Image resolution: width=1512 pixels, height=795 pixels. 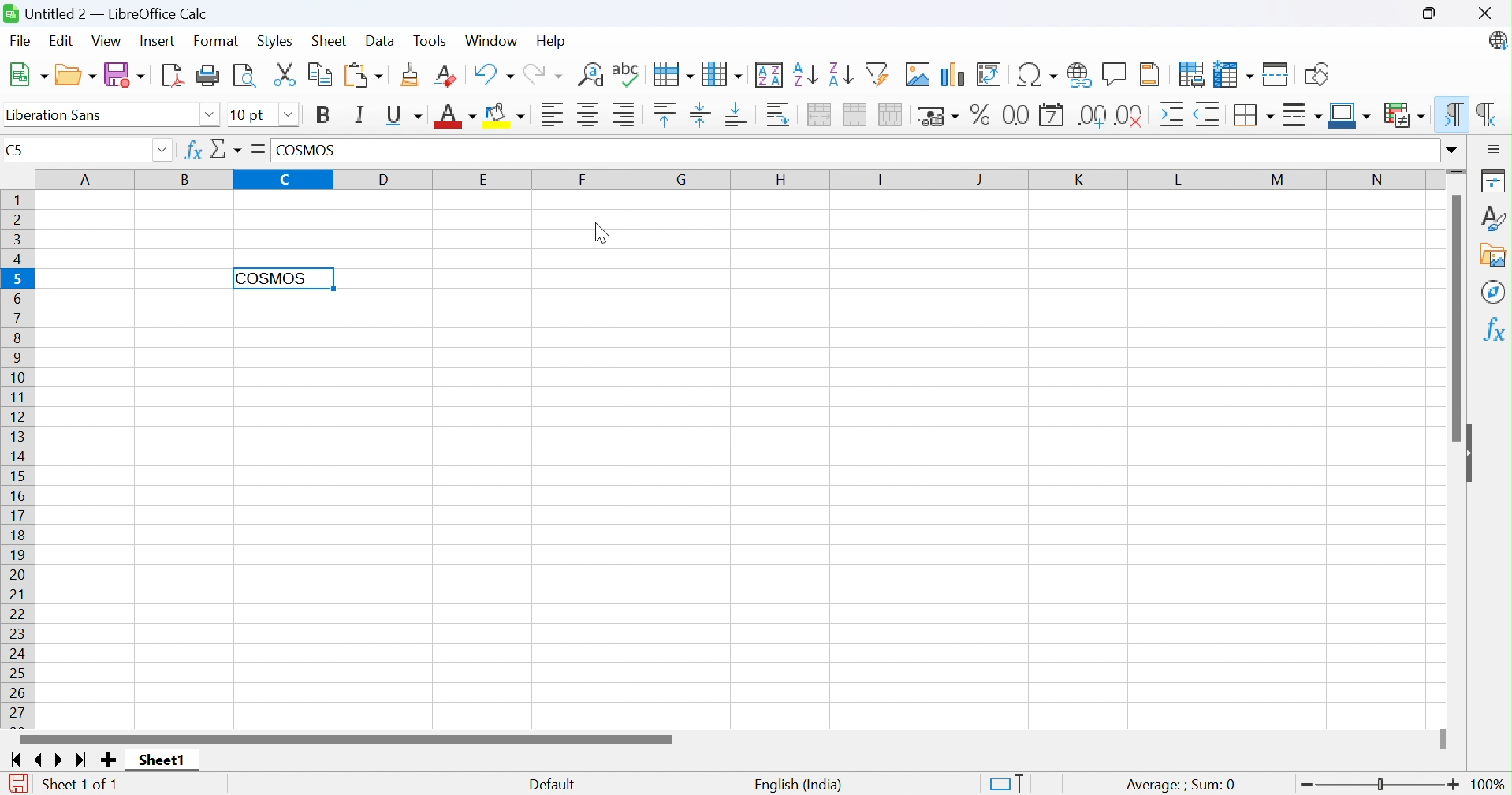 What do you see at coordinates (1489, 786) in the screenshot?
I see `100%` at bounding box center [1489, 786].